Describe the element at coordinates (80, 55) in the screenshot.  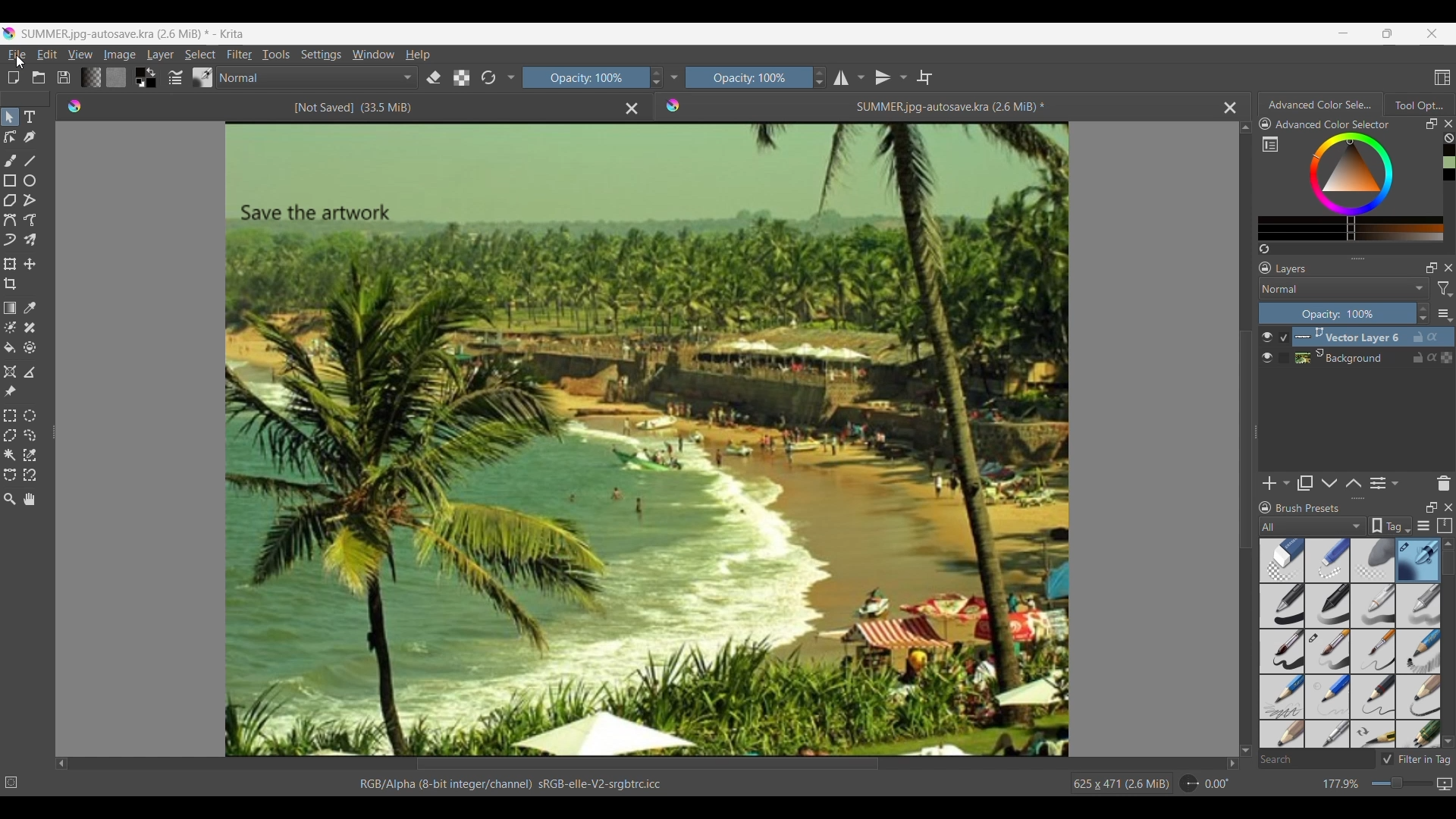
I see `View` at that location.